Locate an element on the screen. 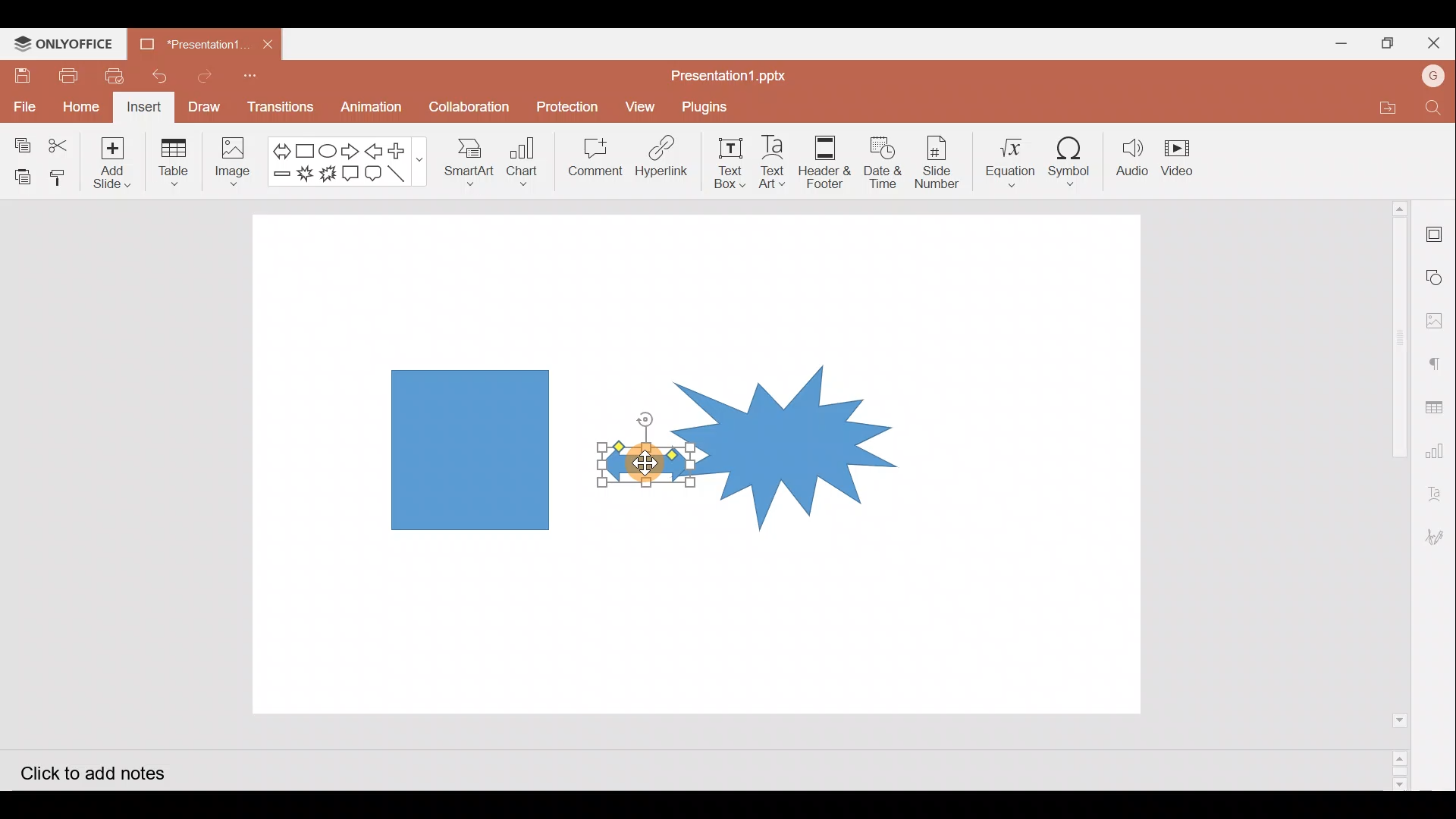  Rectangle is located at coordinates (302, 149).